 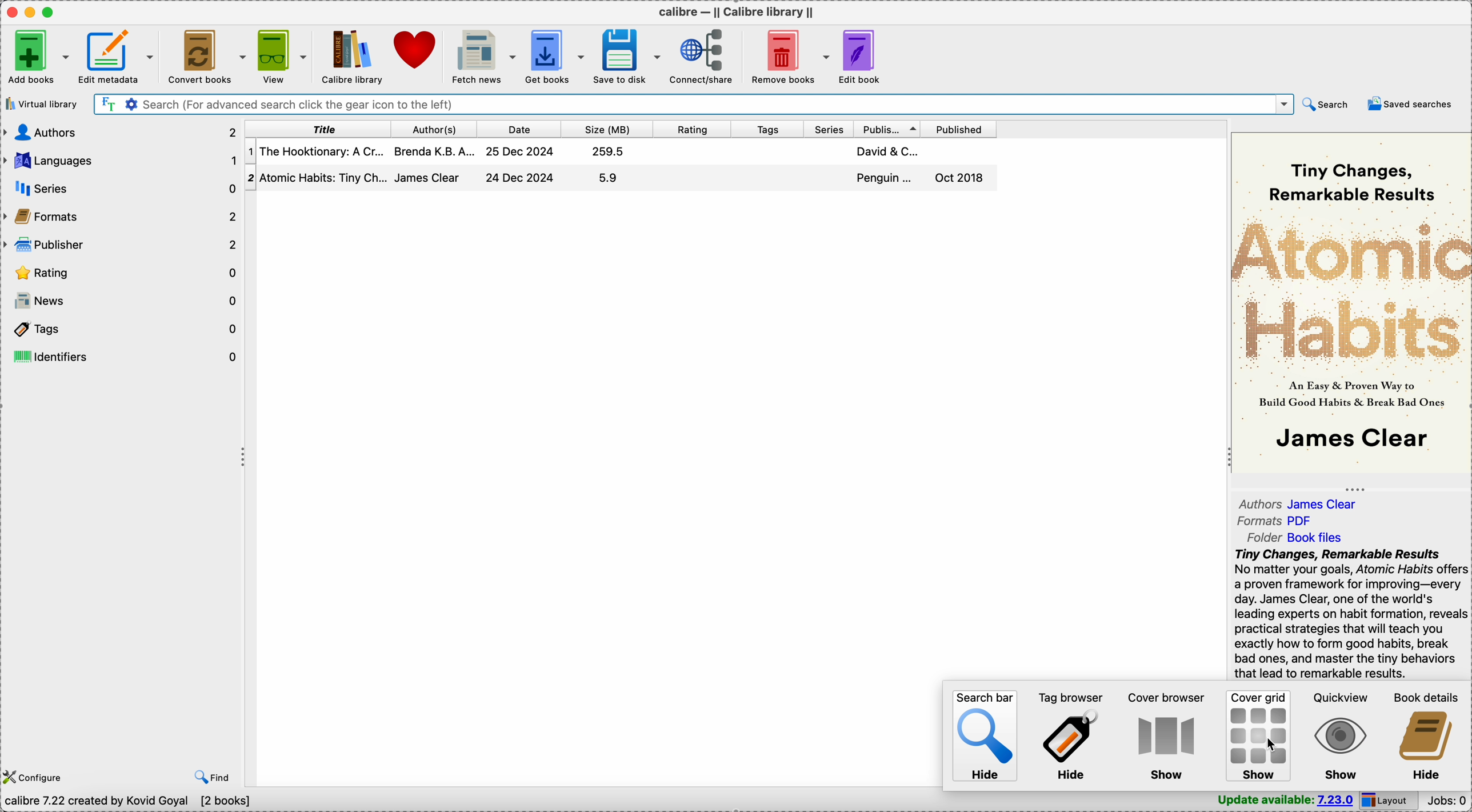 What do you see at coordinates (121, 274) in the screenshot?
I see `rating` at bounding box center [121, 274].